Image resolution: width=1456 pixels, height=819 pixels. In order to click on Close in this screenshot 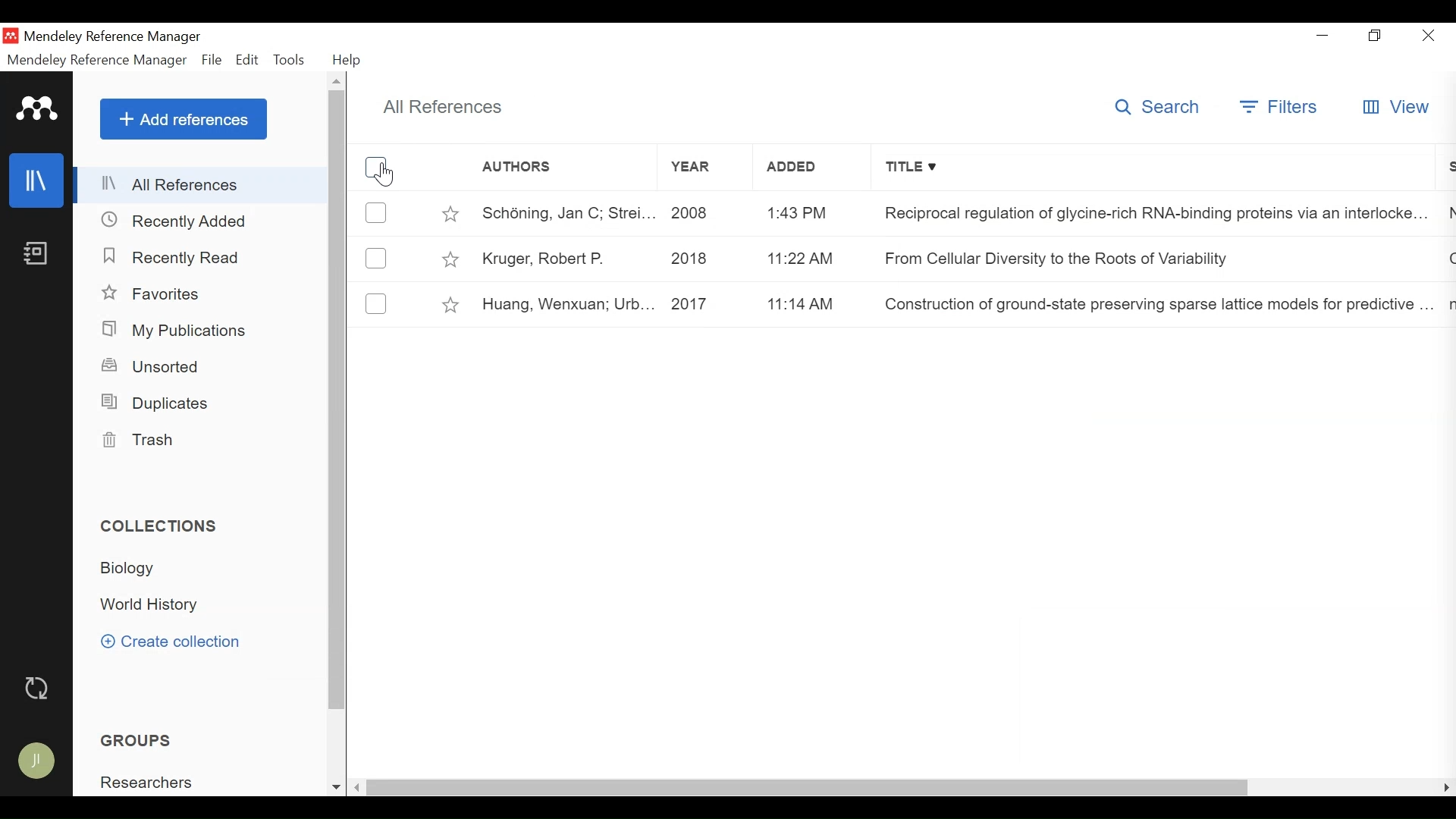, I will do `click(1429, 36)`.